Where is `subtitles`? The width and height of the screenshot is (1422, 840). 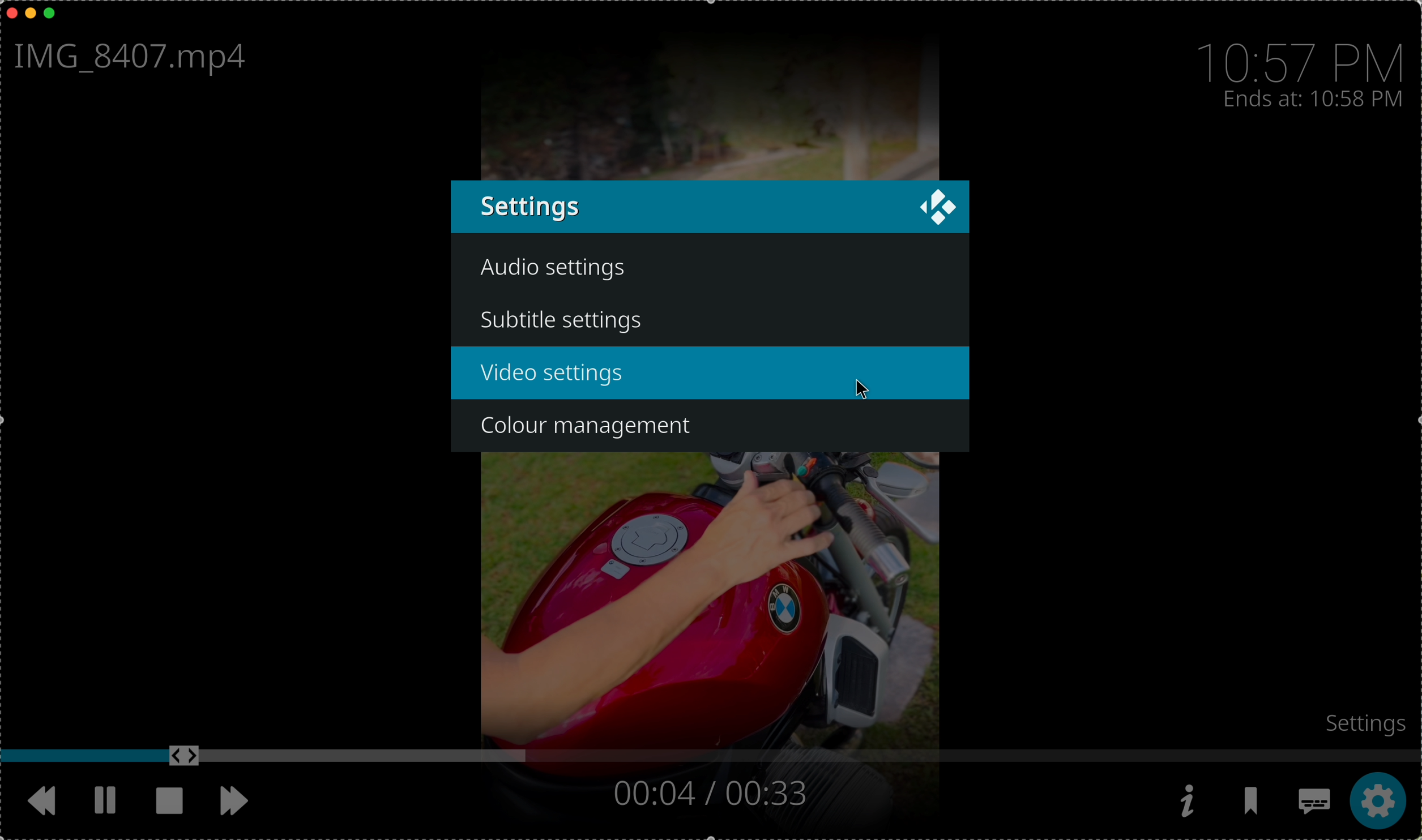 subtitles is located at coordinates (1312, 803).